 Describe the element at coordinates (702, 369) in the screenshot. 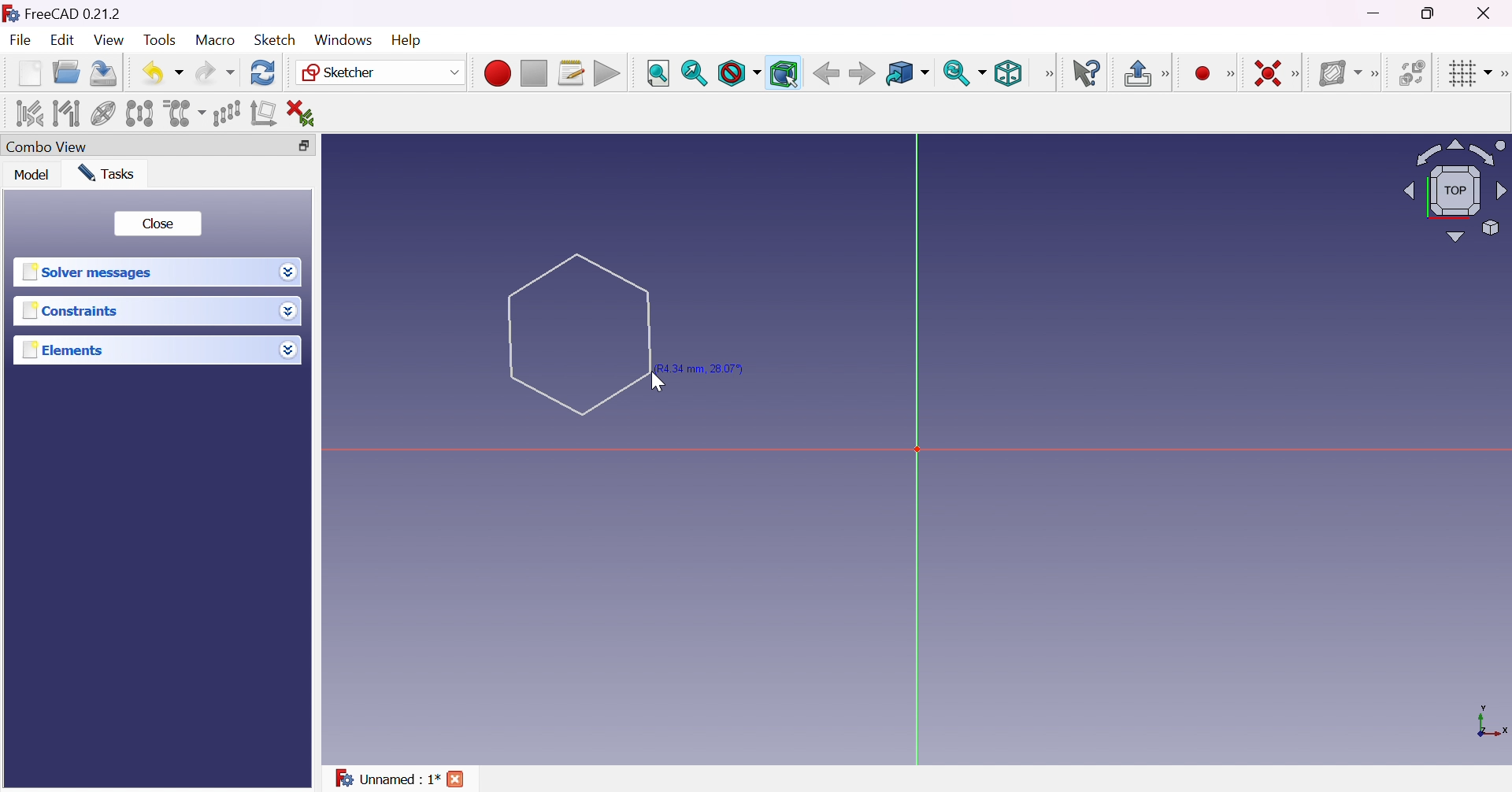

I see `(R4.34 mm, 28.07°)` at that location.